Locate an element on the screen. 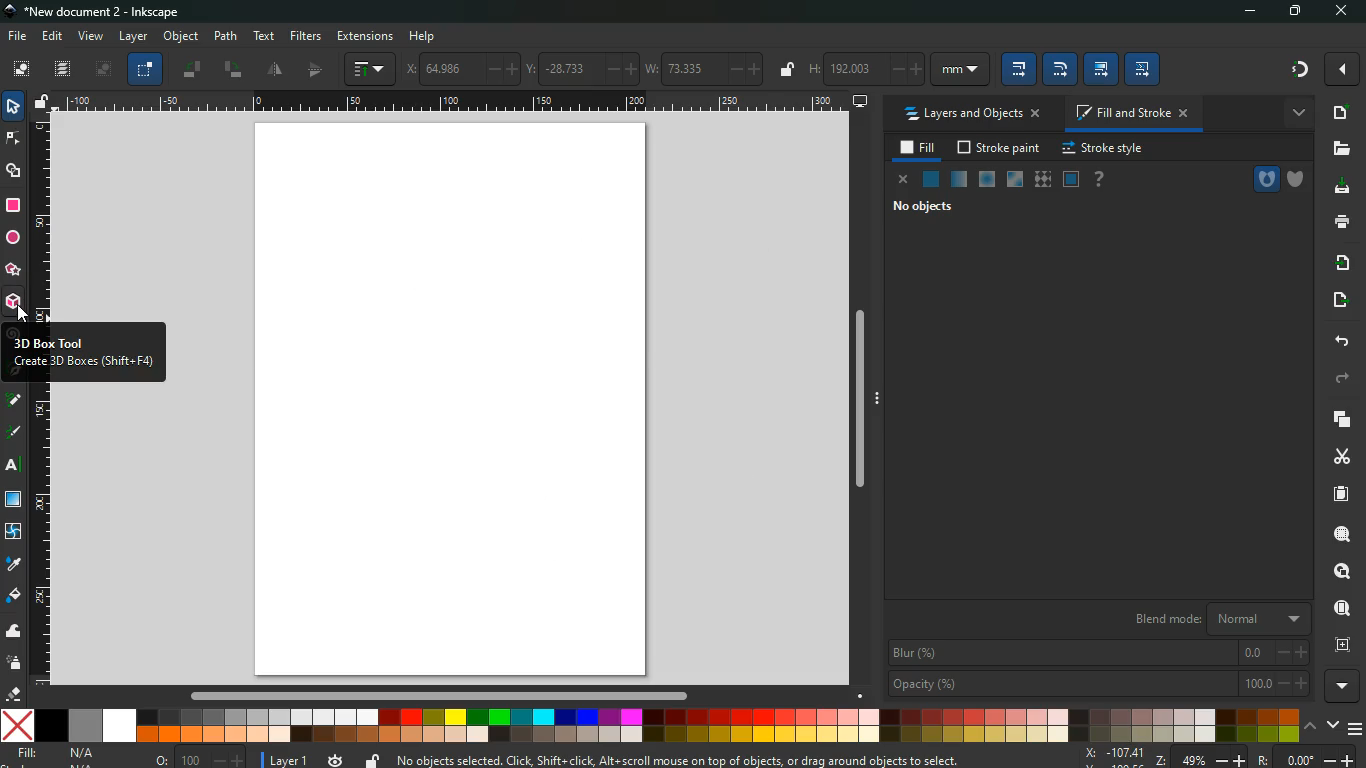 The width and height of the screenshot is (1366, 768). opacity is located at coordinates (959, 180).